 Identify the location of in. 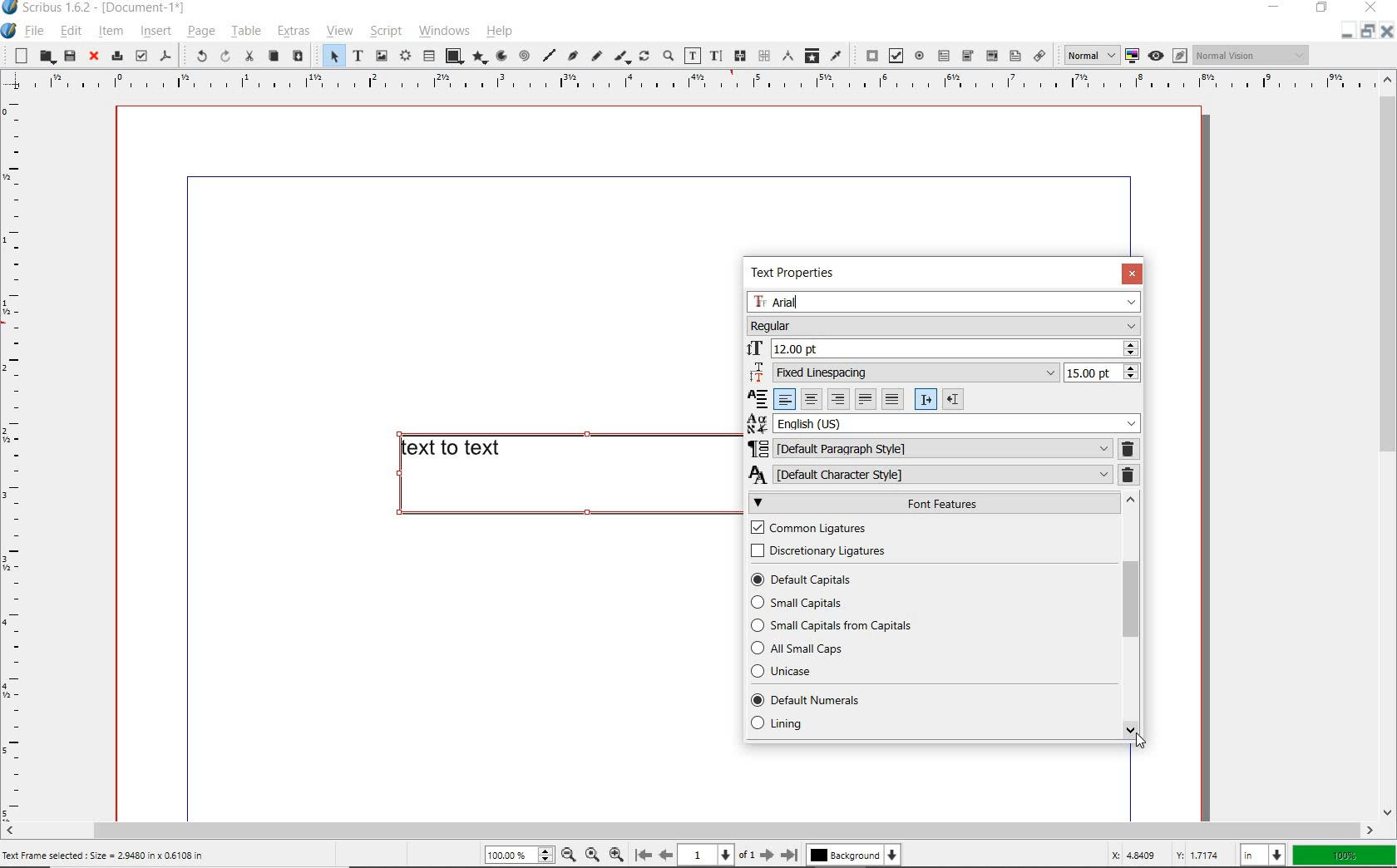
(1265, 854).